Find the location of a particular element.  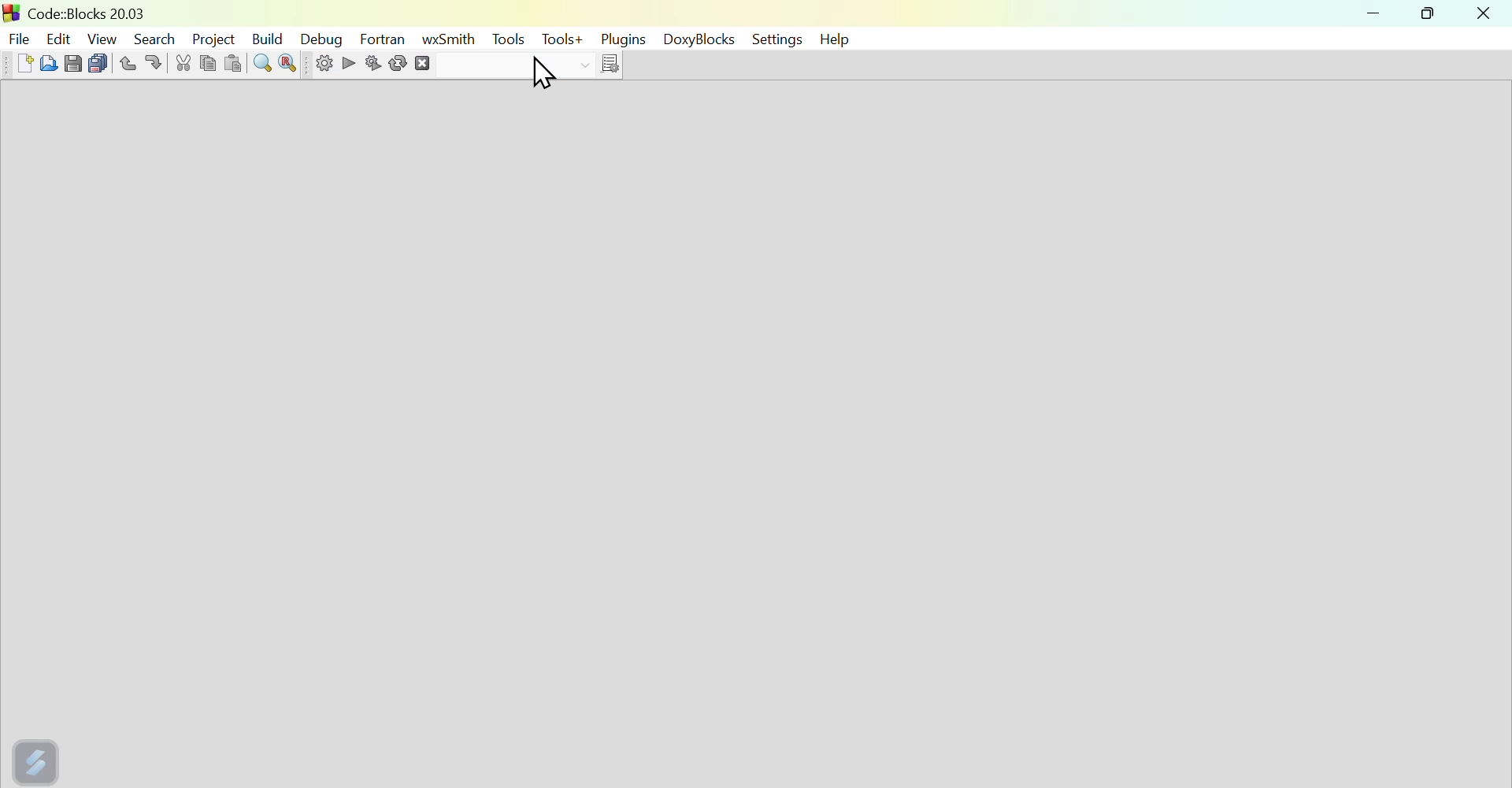

Tools+ is located at coordinates (560, 41).